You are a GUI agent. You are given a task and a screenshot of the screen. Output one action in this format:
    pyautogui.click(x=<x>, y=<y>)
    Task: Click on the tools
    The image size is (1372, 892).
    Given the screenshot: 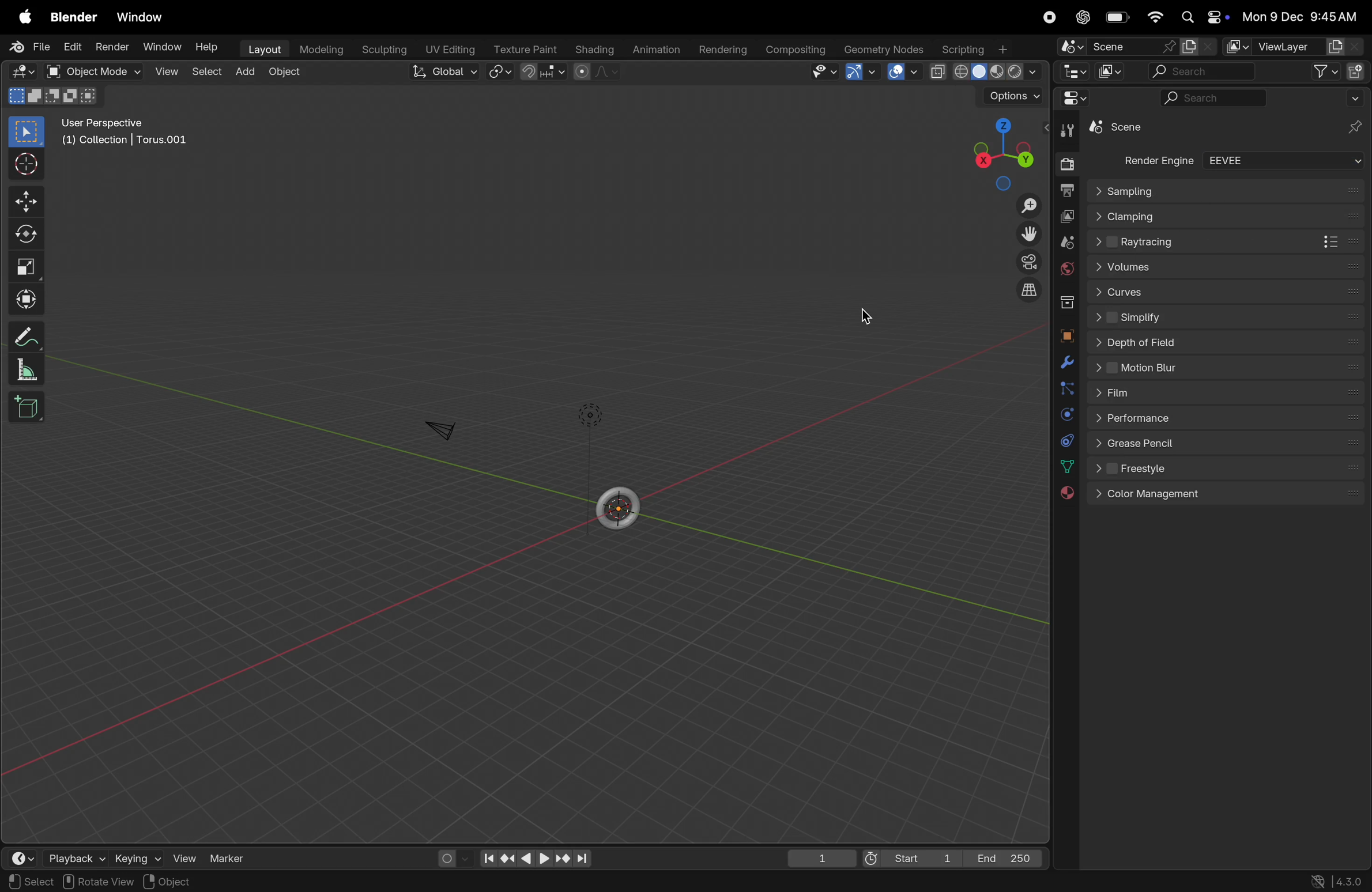 What is the action you would take?
    pyautogui.click(x=1068, y=131)
    